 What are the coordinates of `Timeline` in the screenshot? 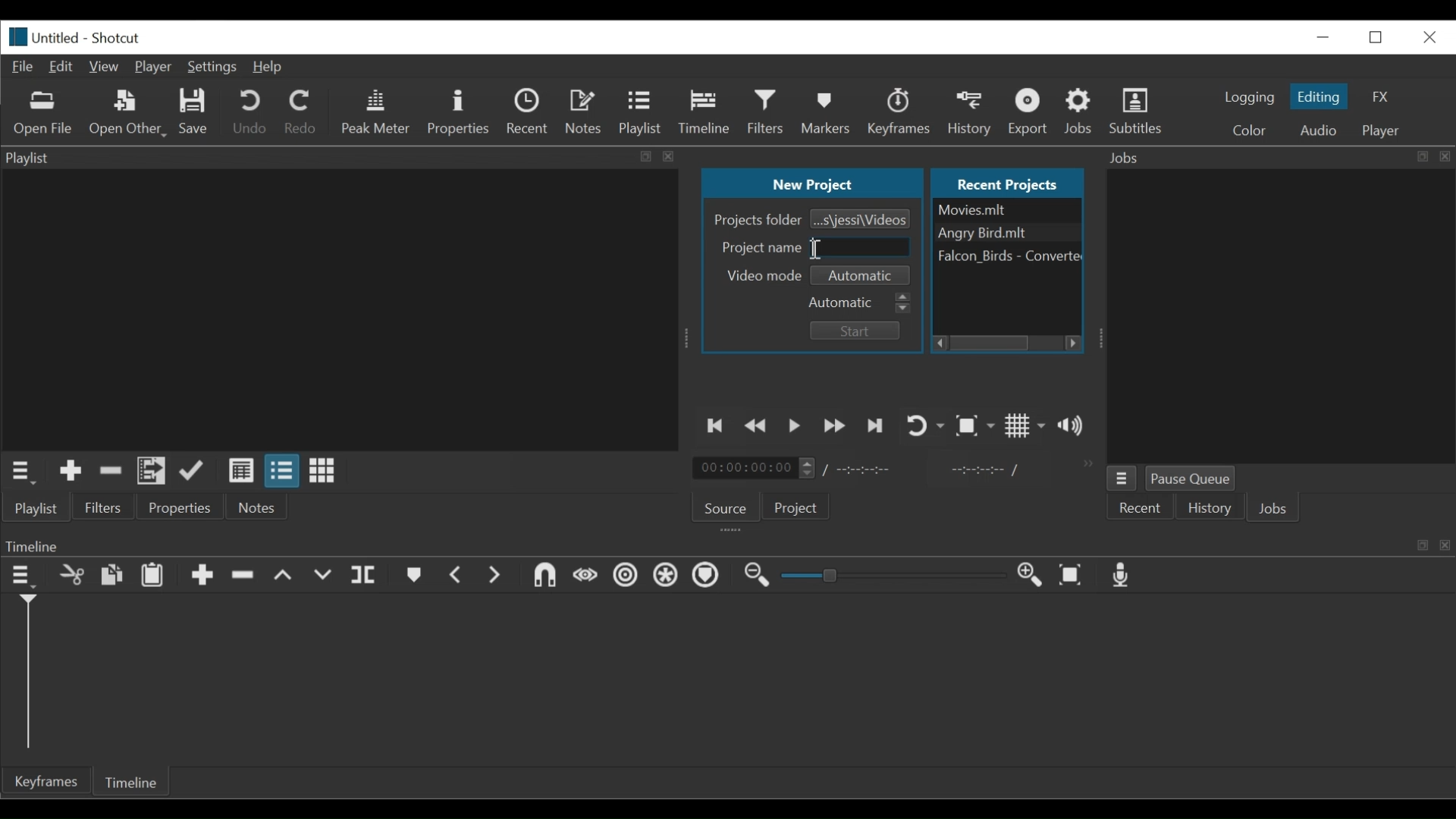 It's located at (726, 543).